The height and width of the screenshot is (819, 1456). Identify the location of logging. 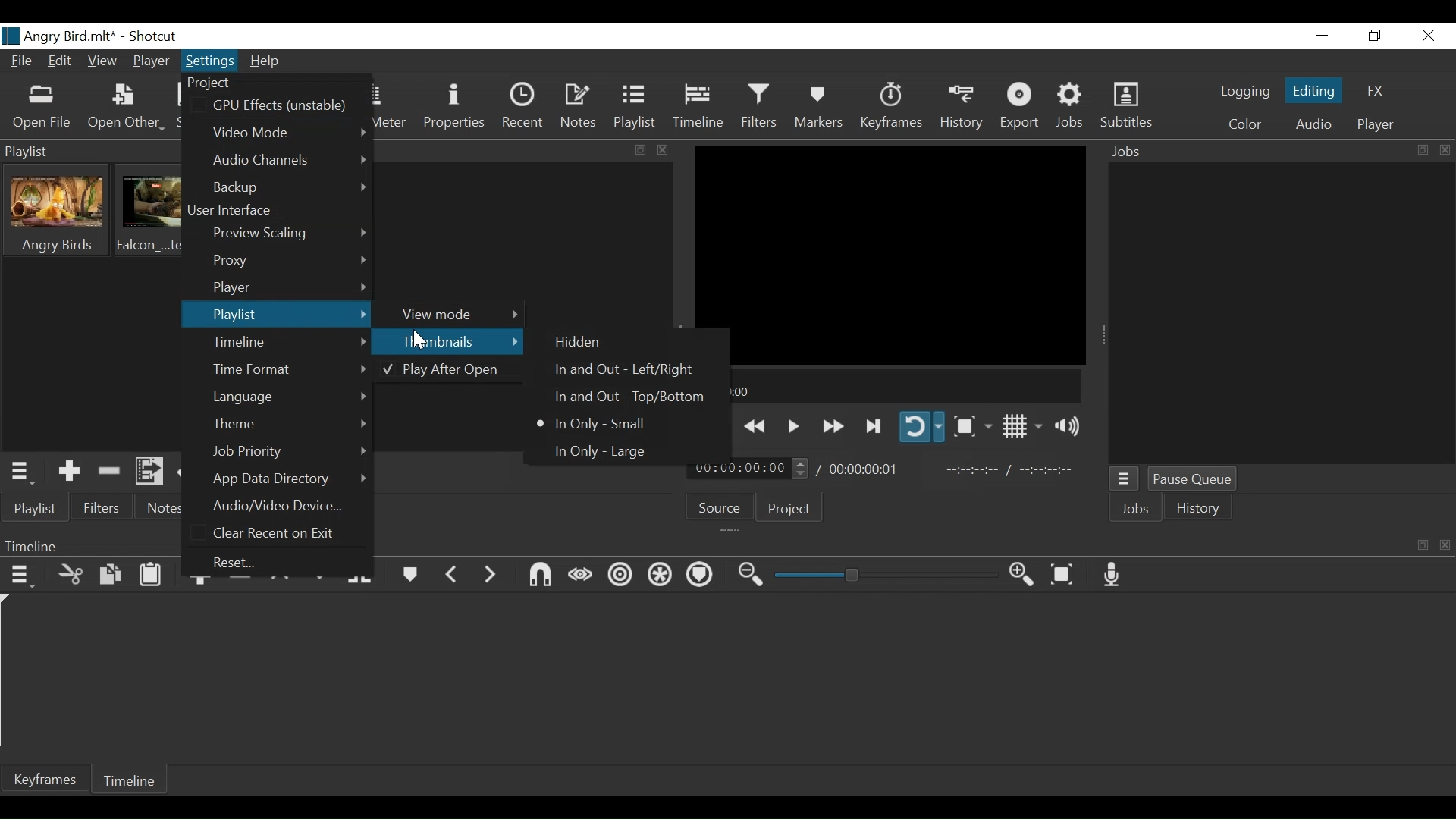
(1243, 91).